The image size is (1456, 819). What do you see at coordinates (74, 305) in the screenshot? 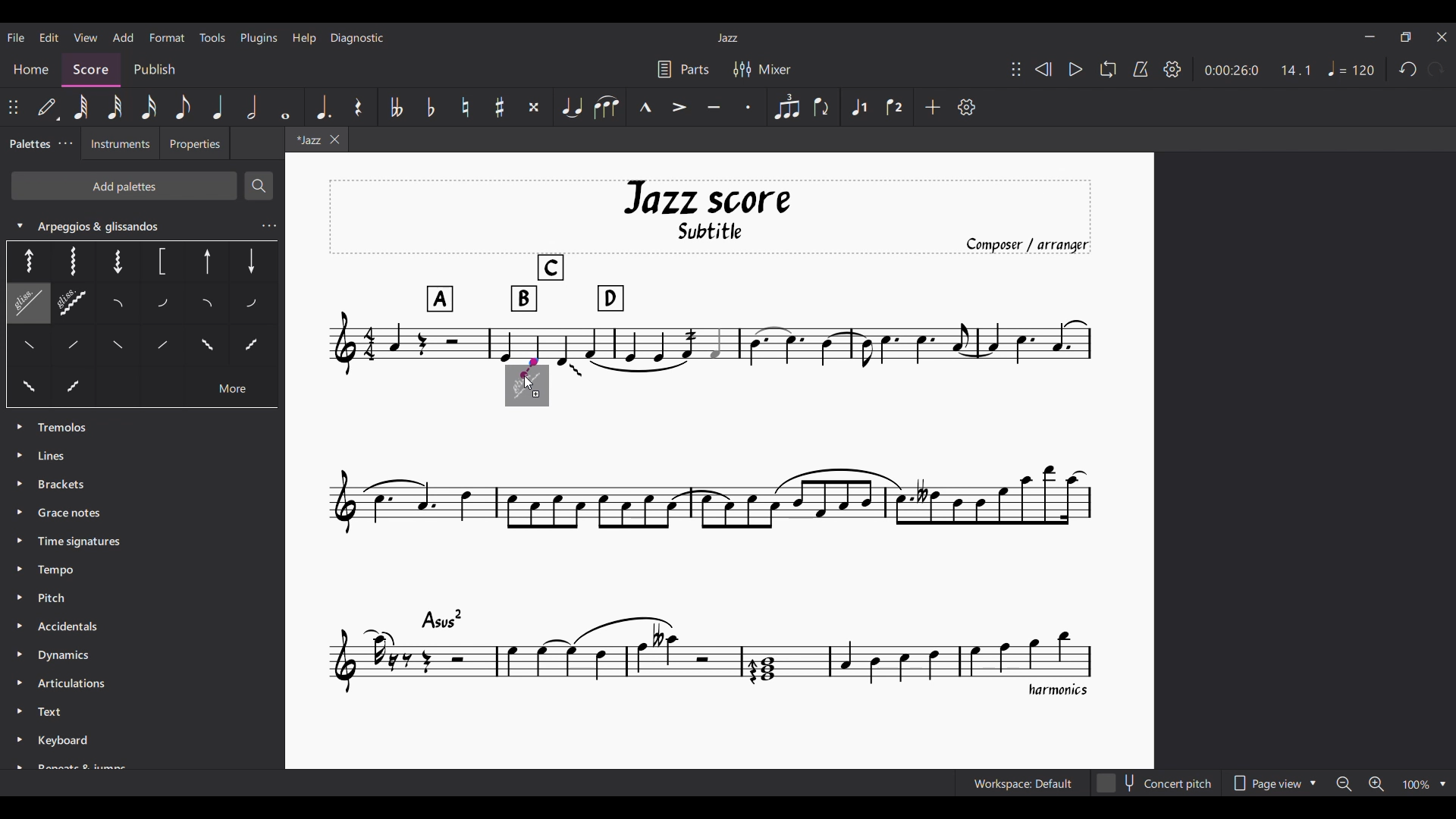
I see `Palate 8` at bounding box center [74, 305].